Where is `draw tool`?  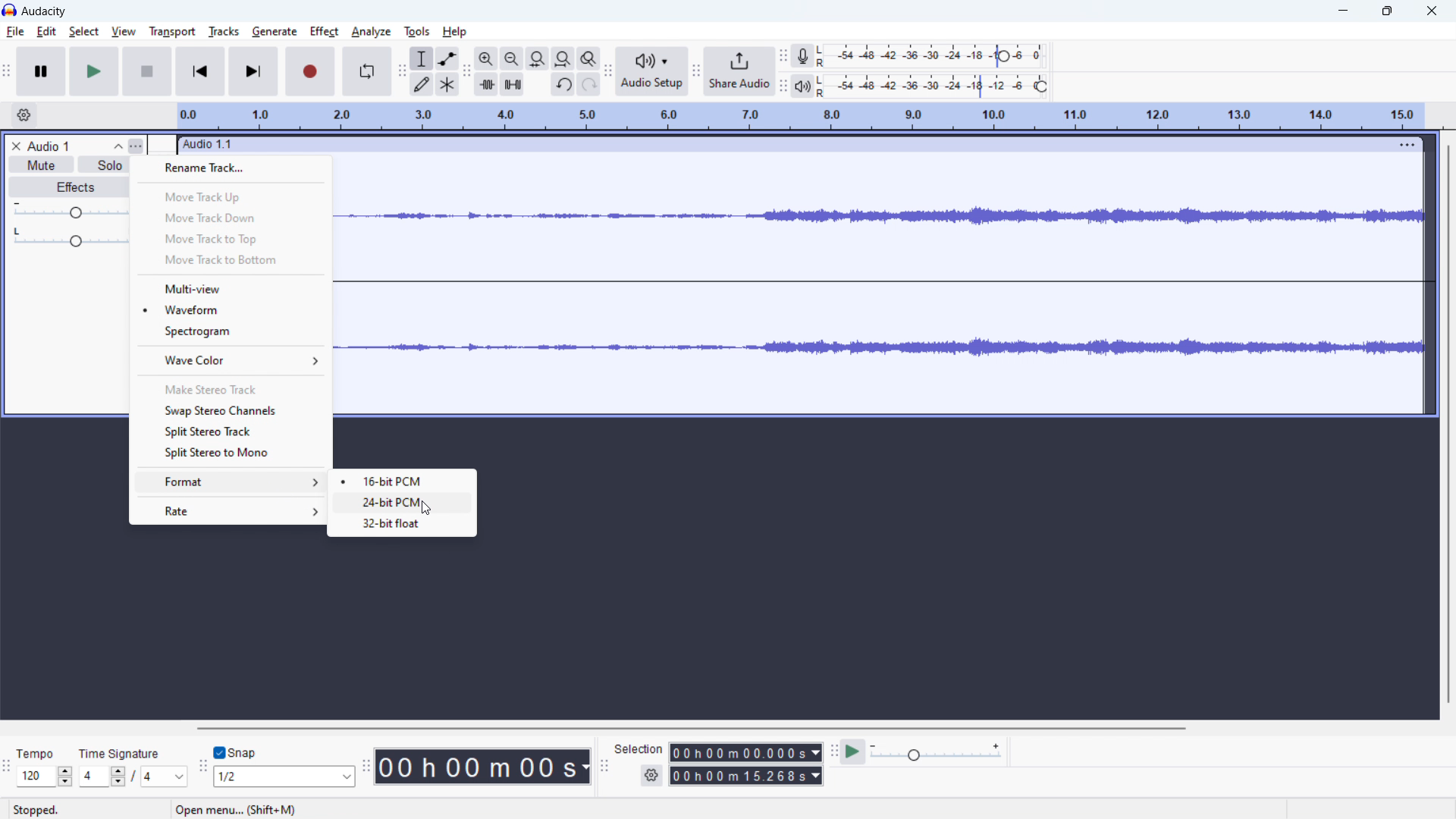 draw tool is located at coordinates (422, 83).